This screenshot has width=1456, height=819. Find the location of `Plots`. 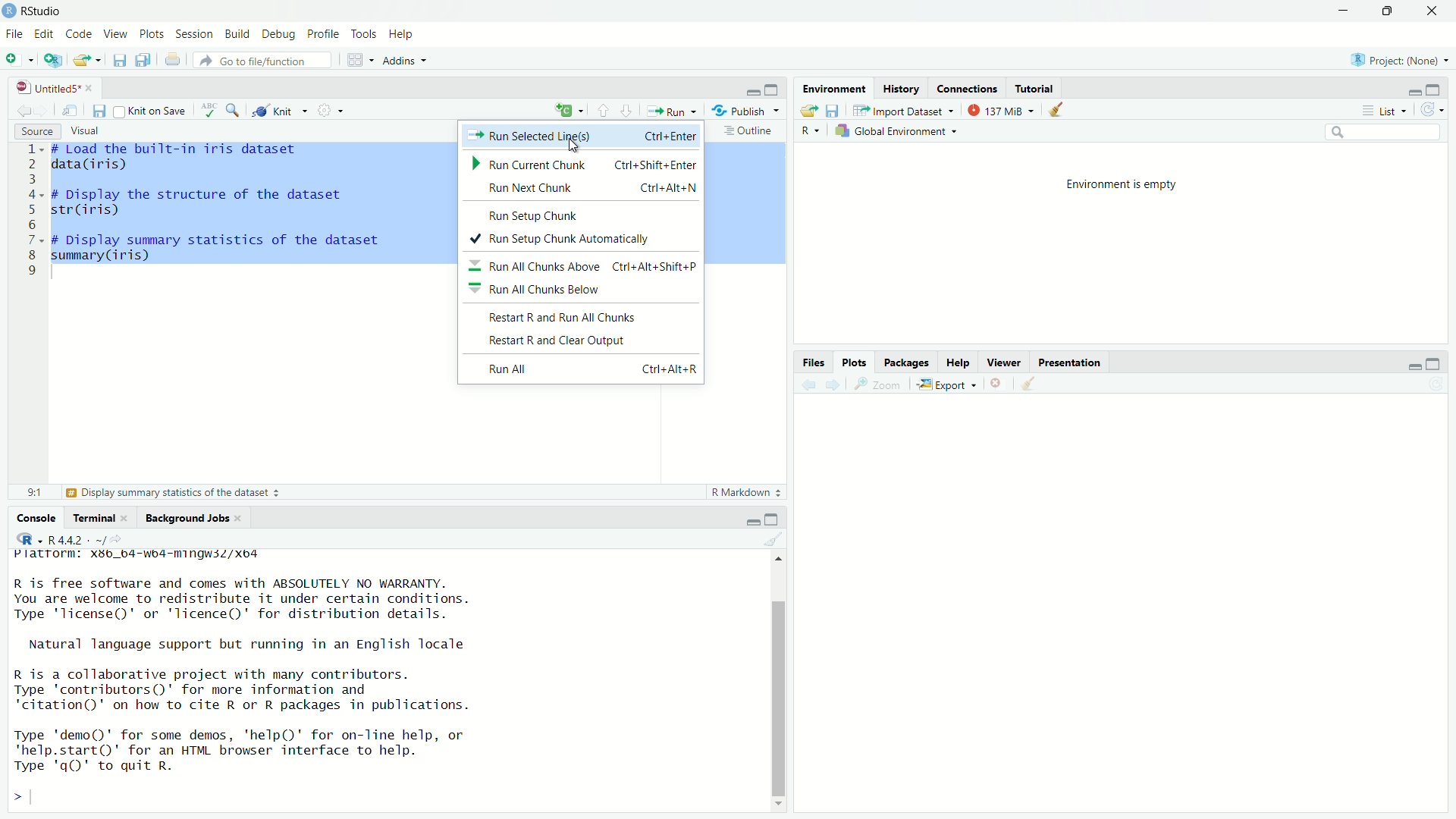

Plots is located at coordinates (855, 362).